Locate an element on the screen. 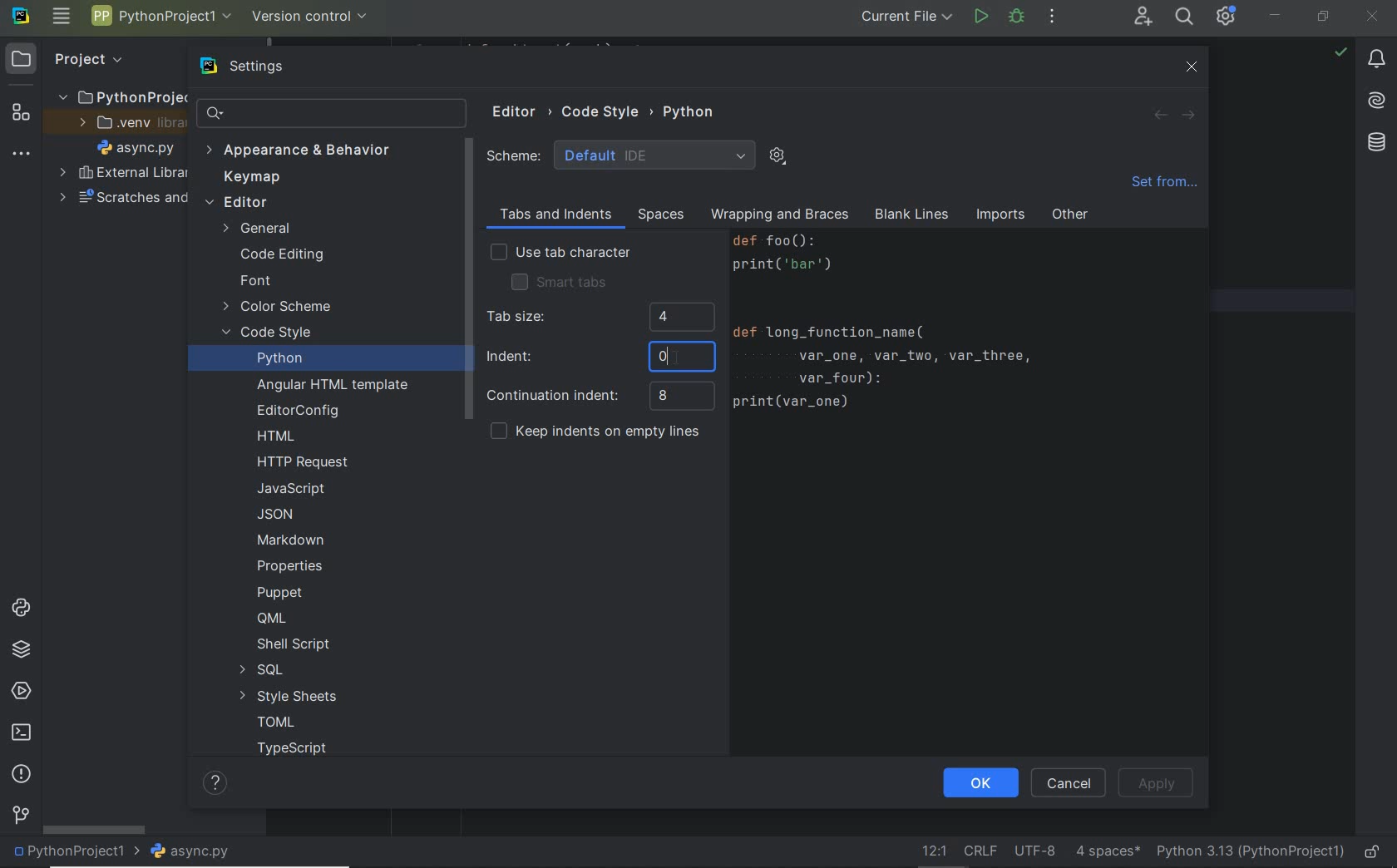 This screenshot has height=868, width=1397. services is located at coordinates (20, 689).